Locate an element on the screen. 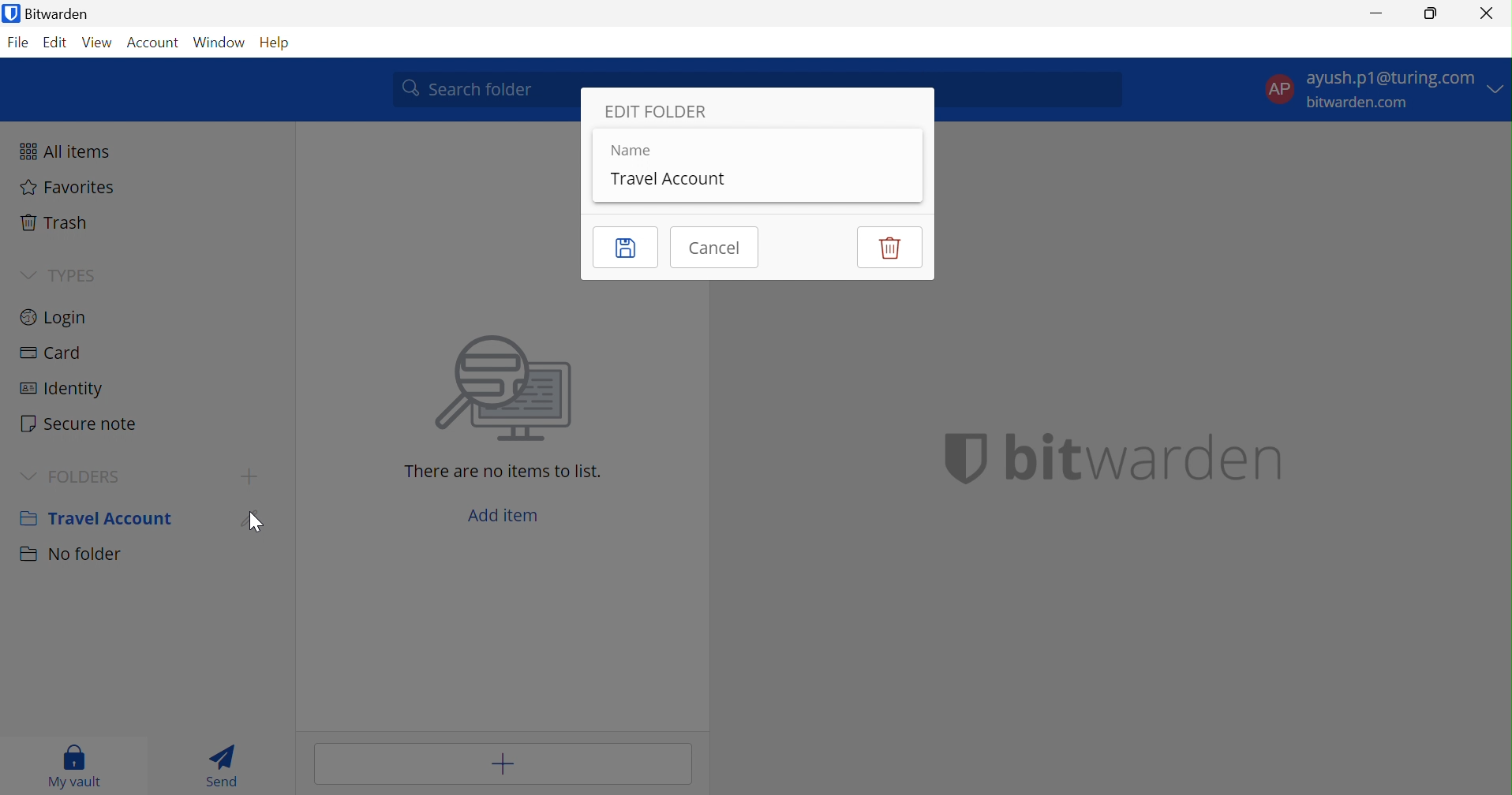 This screenshot has width=1512, height=795. Save is located at coordinates (624, 248).